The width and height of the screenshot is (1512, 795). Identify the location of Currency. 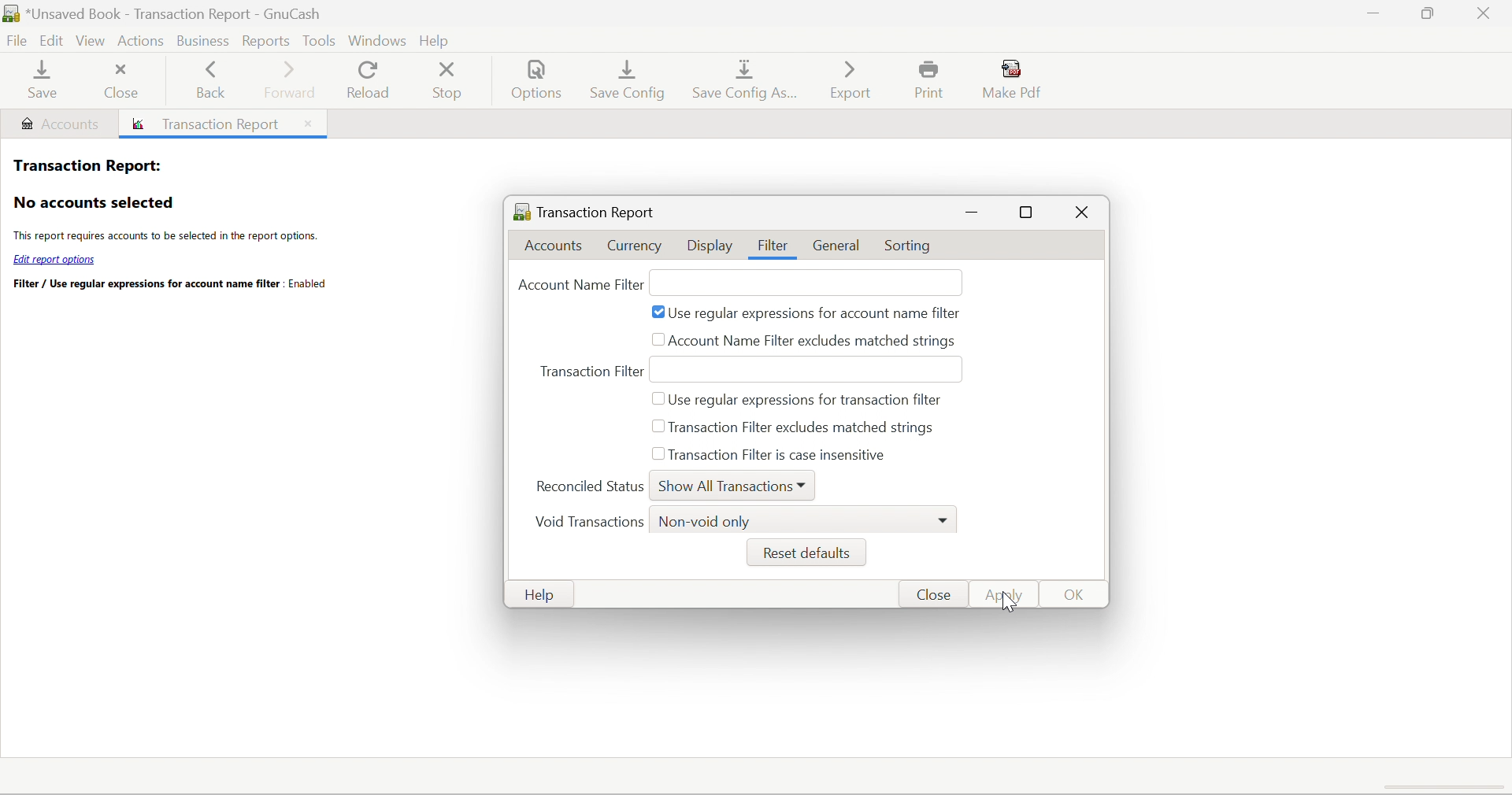
(636, 246).